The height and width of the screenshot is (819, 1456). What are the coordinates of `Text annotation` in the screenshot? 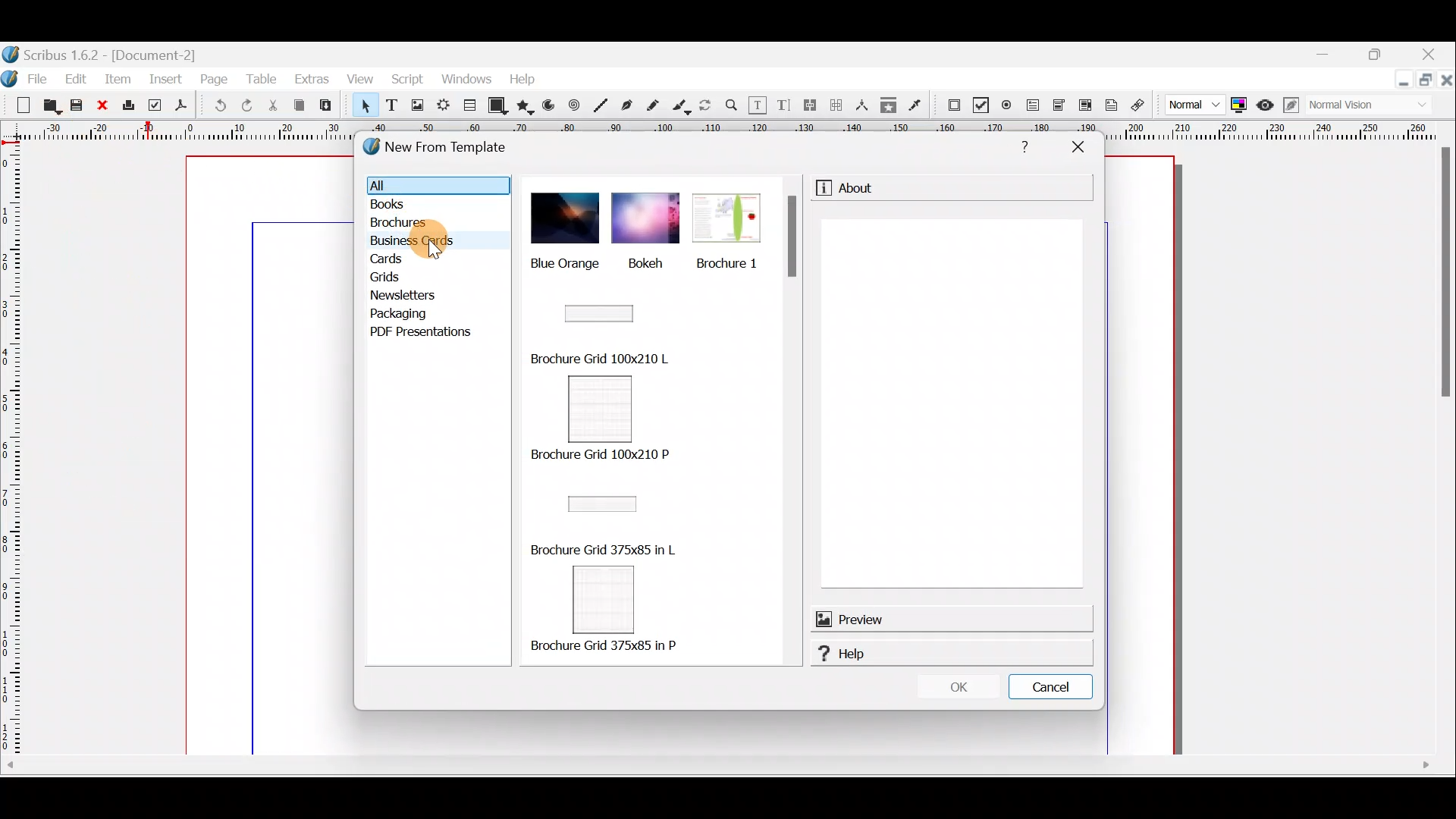 It's located at (1110, 106).